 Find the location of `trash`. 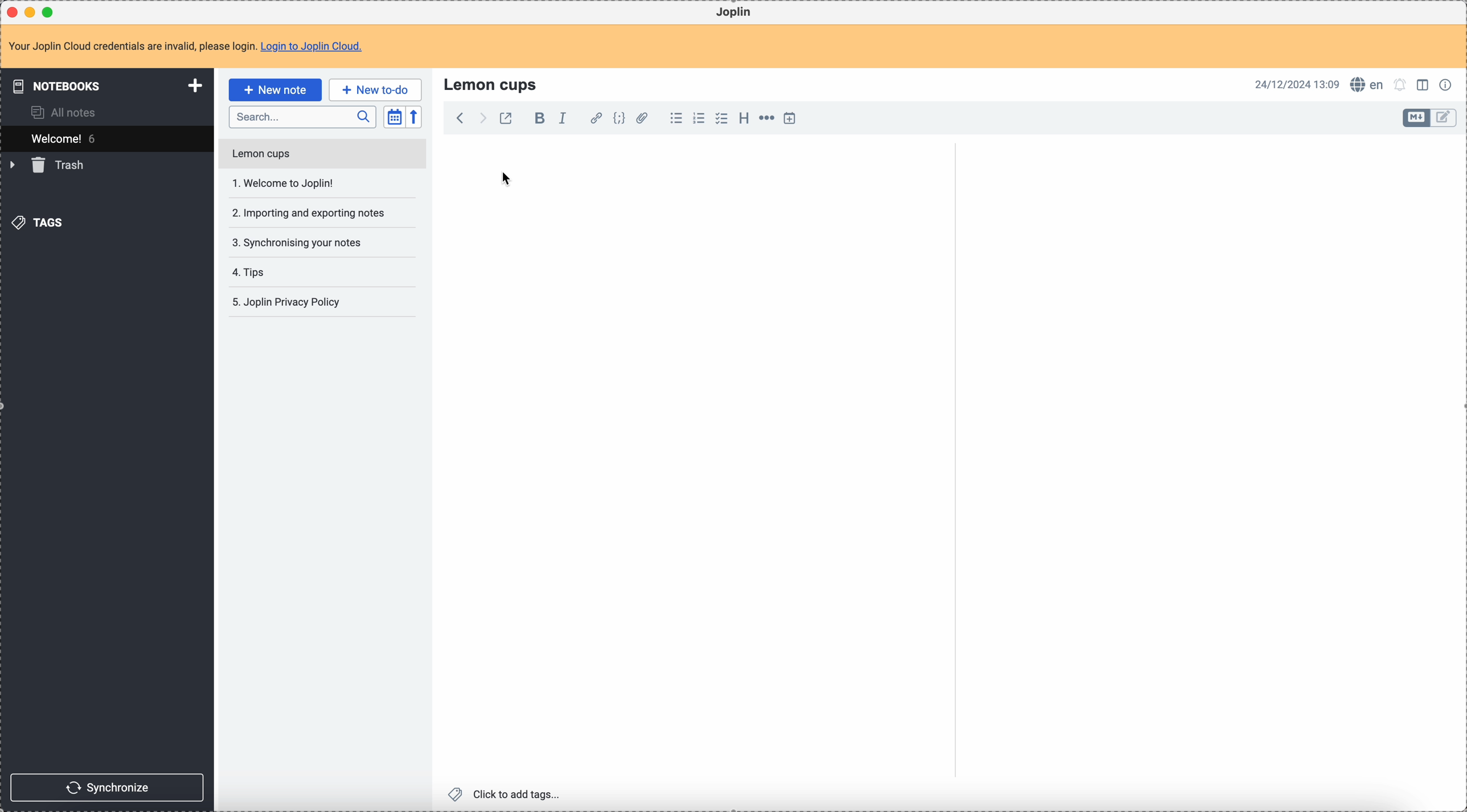

trash is located at coordinates (49, 165).